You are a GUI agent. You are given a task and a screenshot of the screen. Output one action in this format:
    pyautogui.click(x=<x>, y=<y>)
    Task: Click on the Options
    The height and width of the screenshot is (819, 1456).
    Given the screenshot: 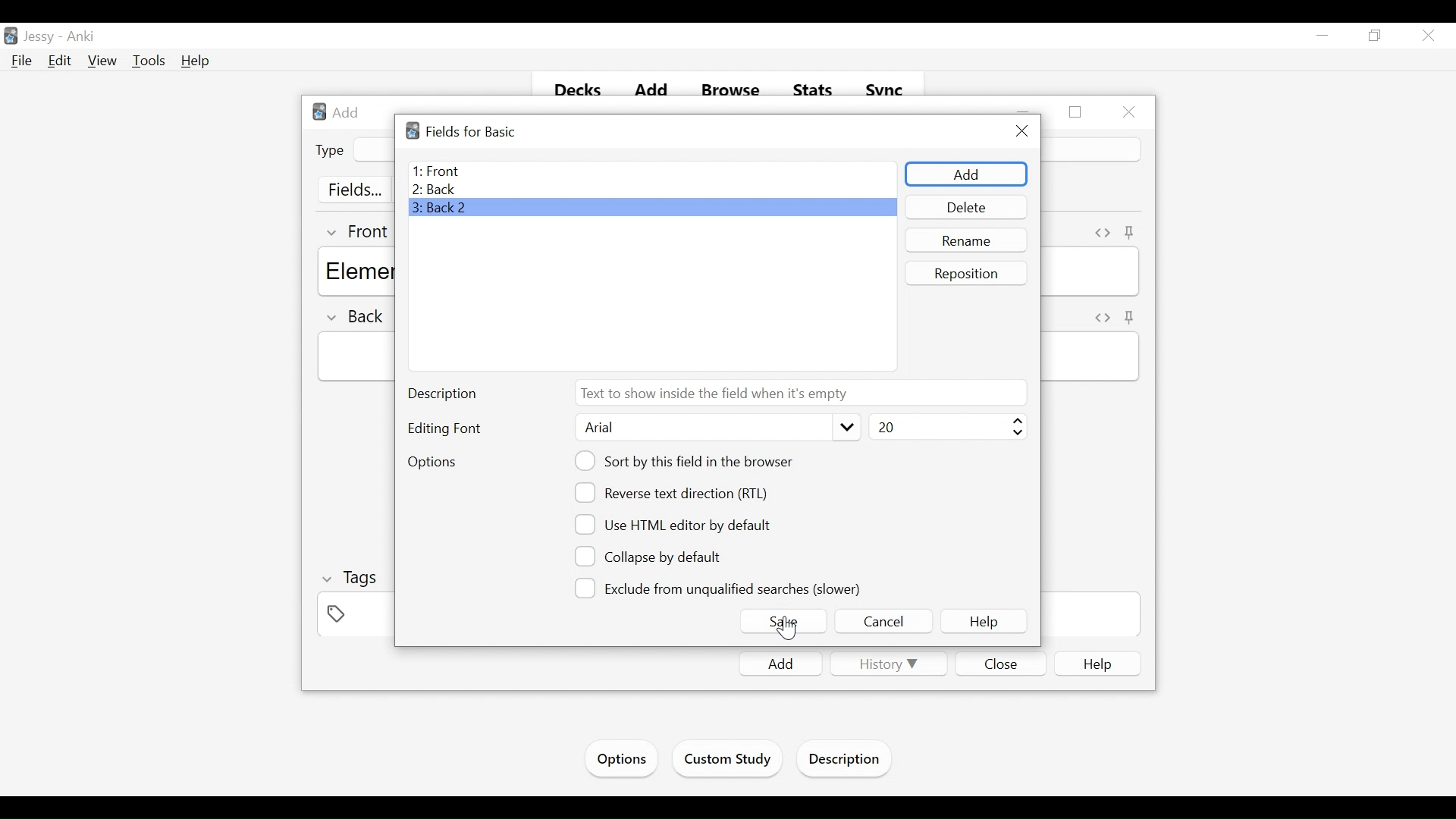 What is the action you would take?
    pyautogui.click(x=438, y=460)
    